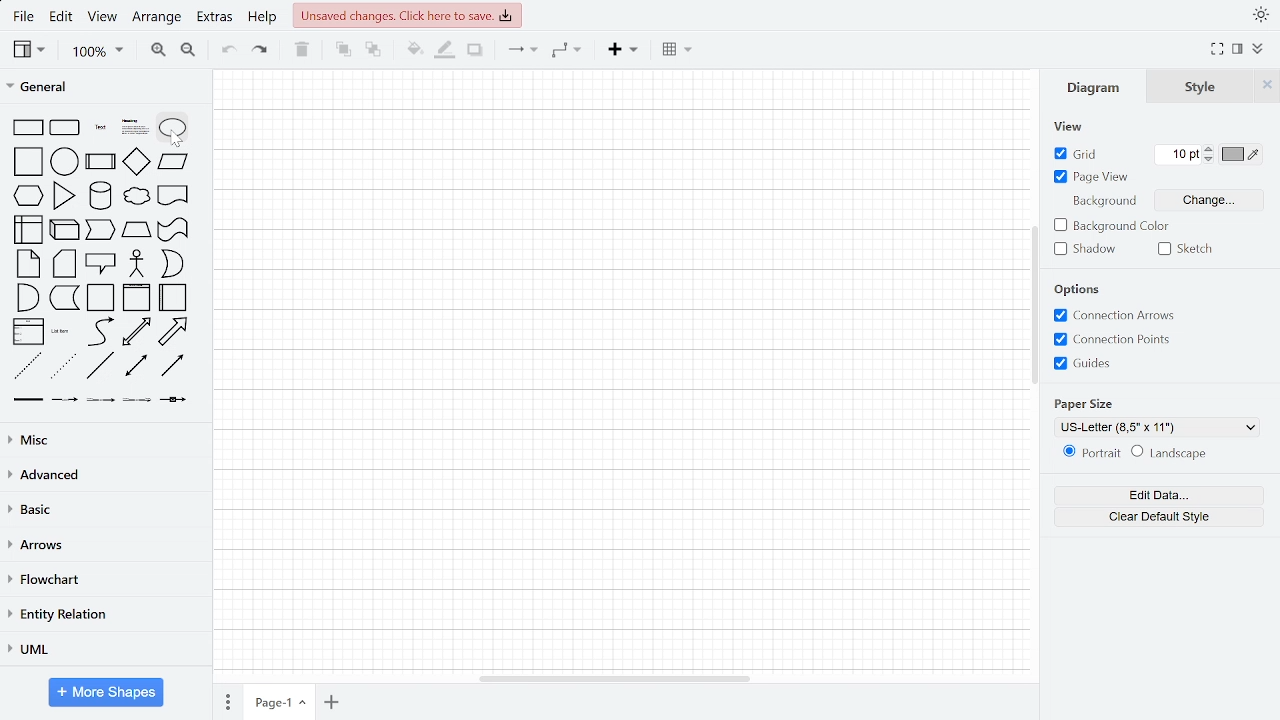  What do you see at coordinates (1217, 49) in the screenshot?
I see `Fullscreen` at bounding box center [1217, 49].